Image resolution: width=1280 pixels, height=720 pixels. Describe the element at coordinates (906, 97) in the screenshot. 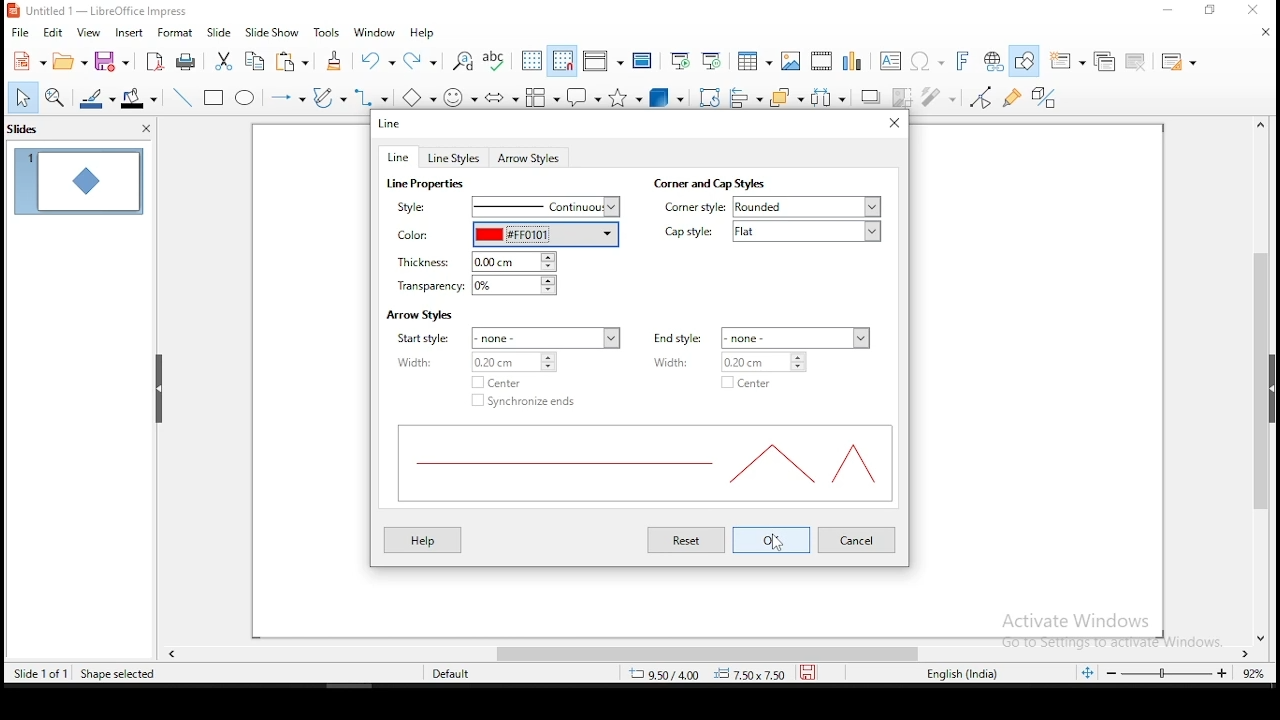

I see `crop image` at that location.